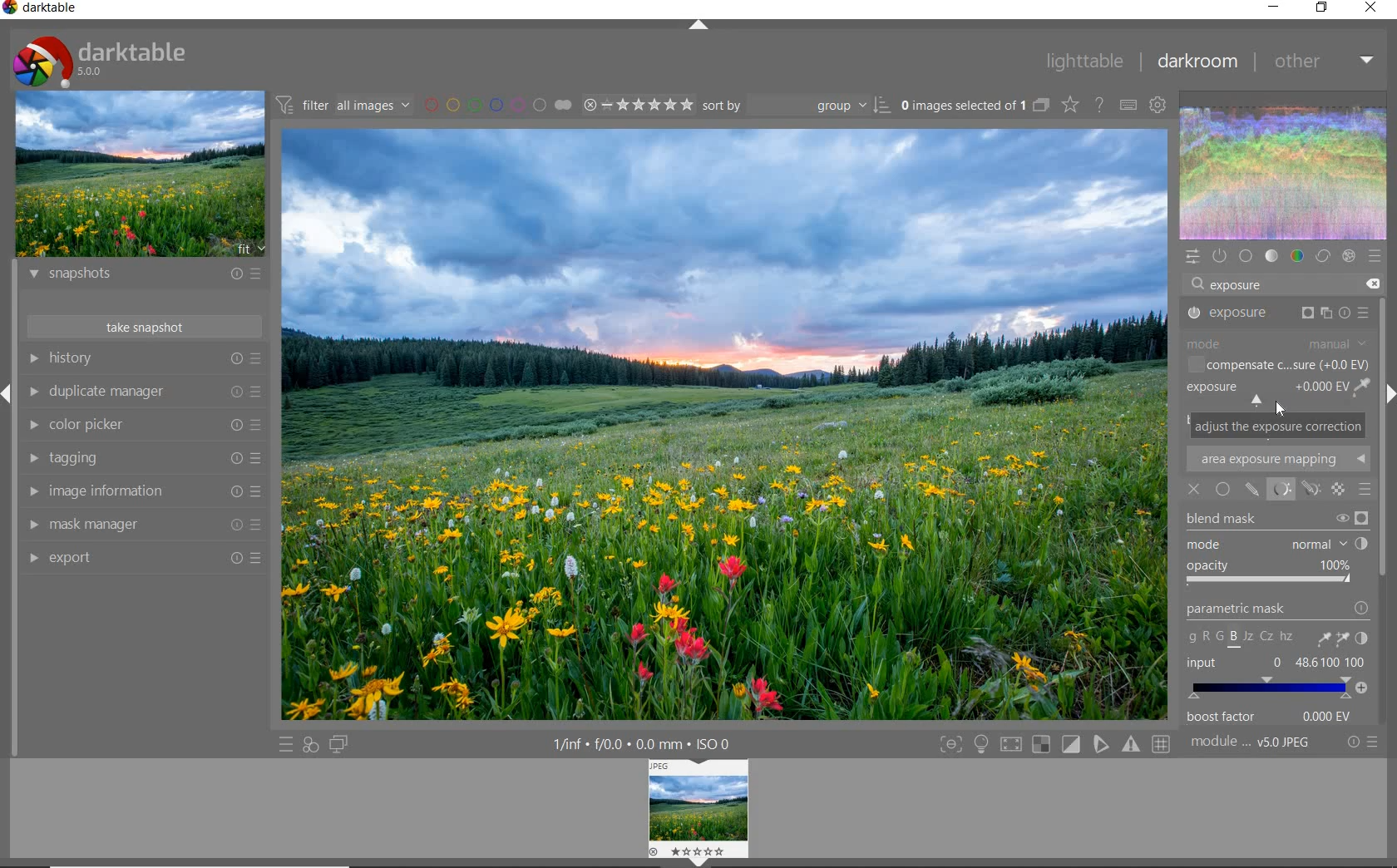 The width and height of the screenshot is (1397, 868). Describe the element at coordinates (644, 744) in the screenshot. I see `other display information` at that location.